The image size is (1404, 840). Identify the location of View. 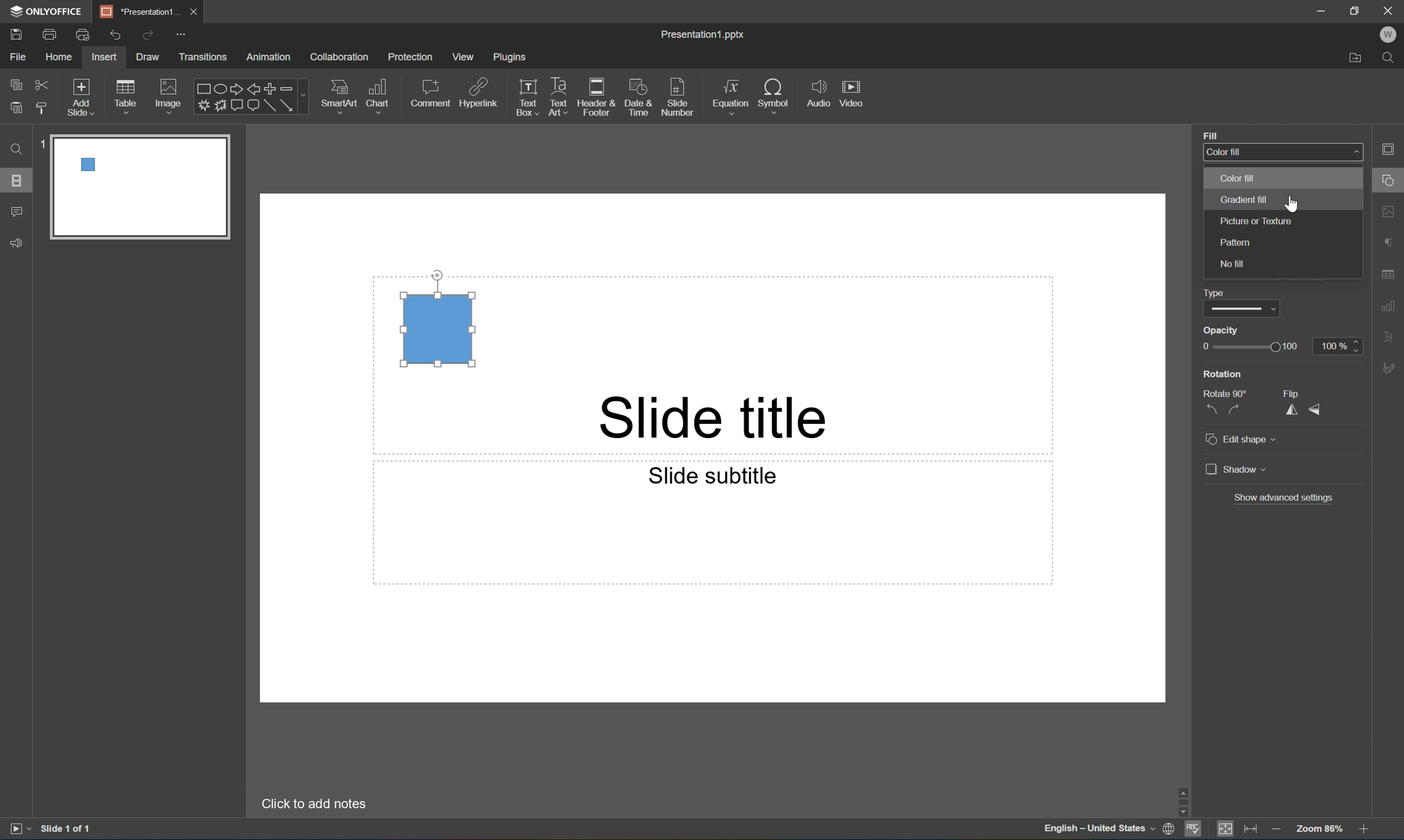
(464, 57).